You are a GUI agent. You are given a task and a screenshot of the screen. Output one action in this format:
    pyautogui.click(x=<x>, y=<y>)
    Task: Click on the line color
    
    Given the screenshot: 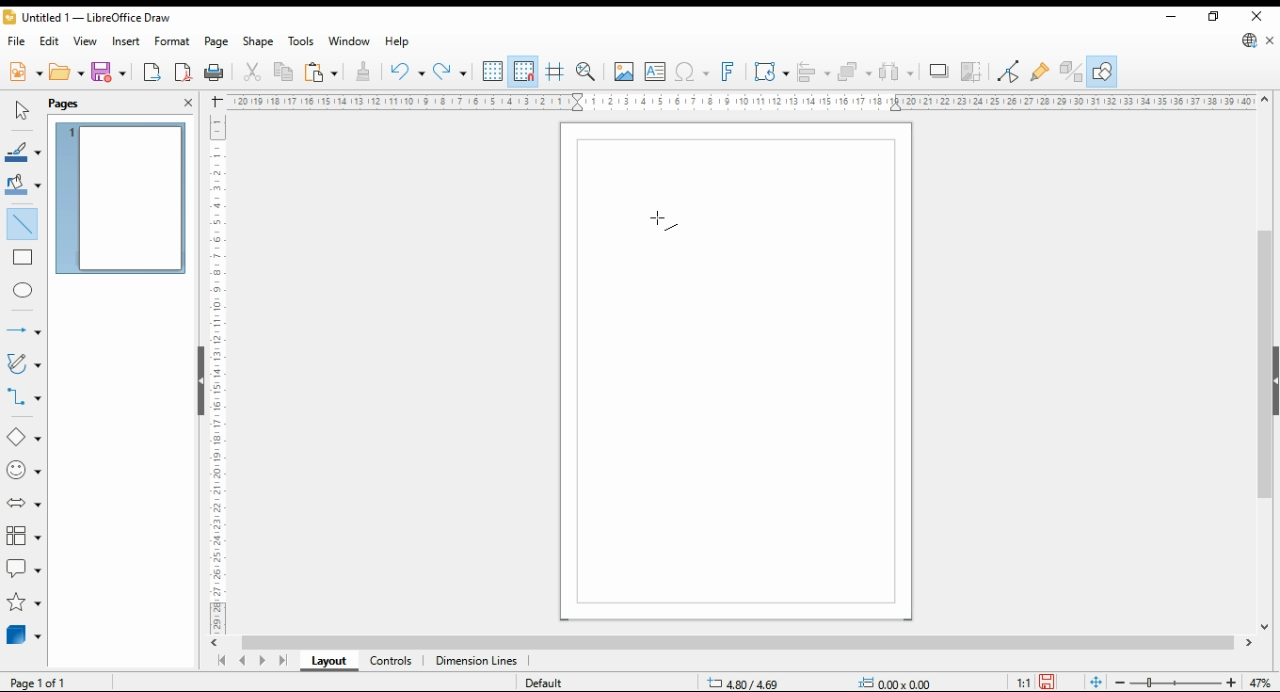 What is the action you would take?
    pyautogui.click(x=22, y=153)
    